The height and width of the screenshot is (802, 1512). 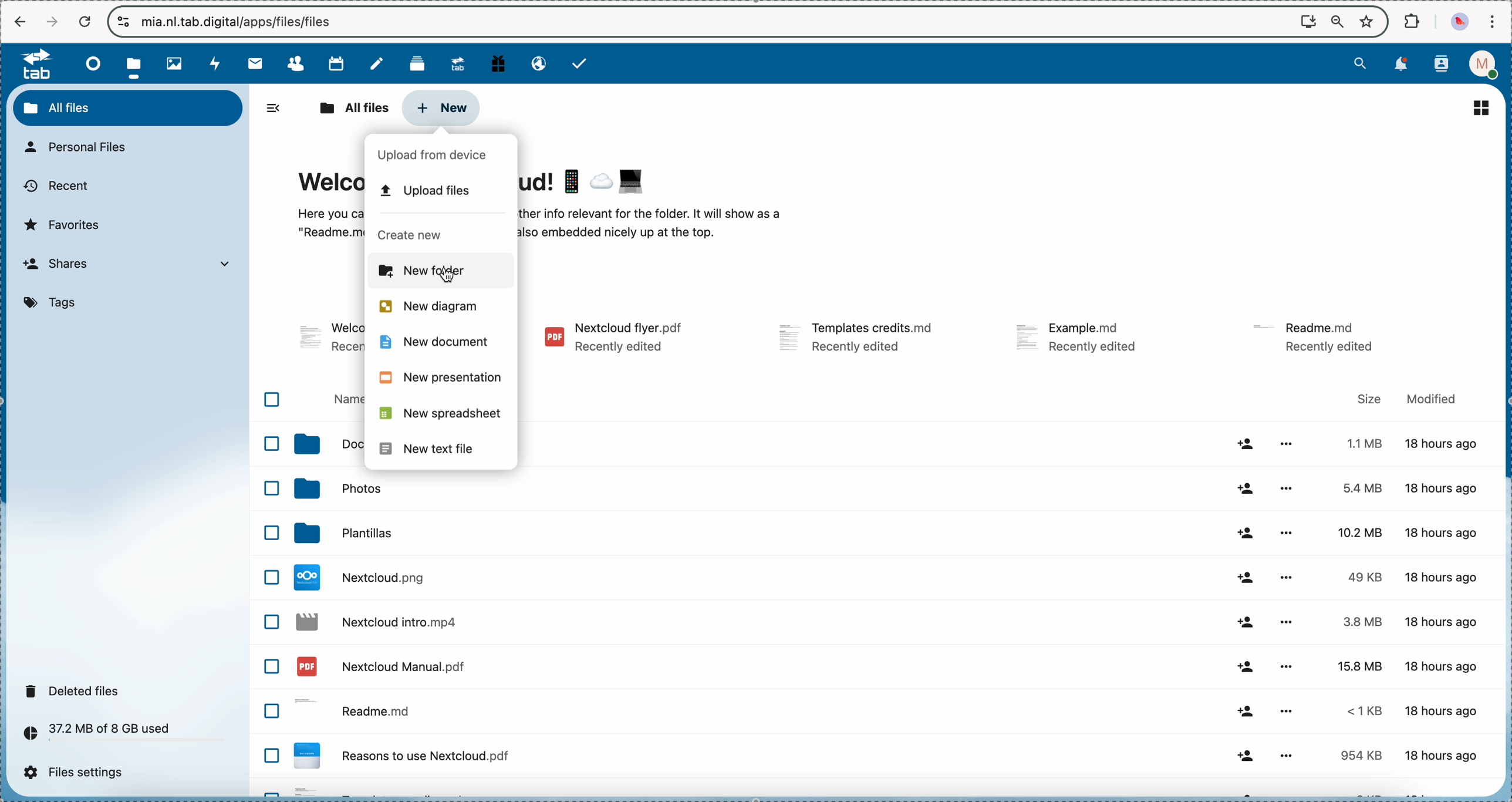 I want to click on file, so click(x=751, y=758).